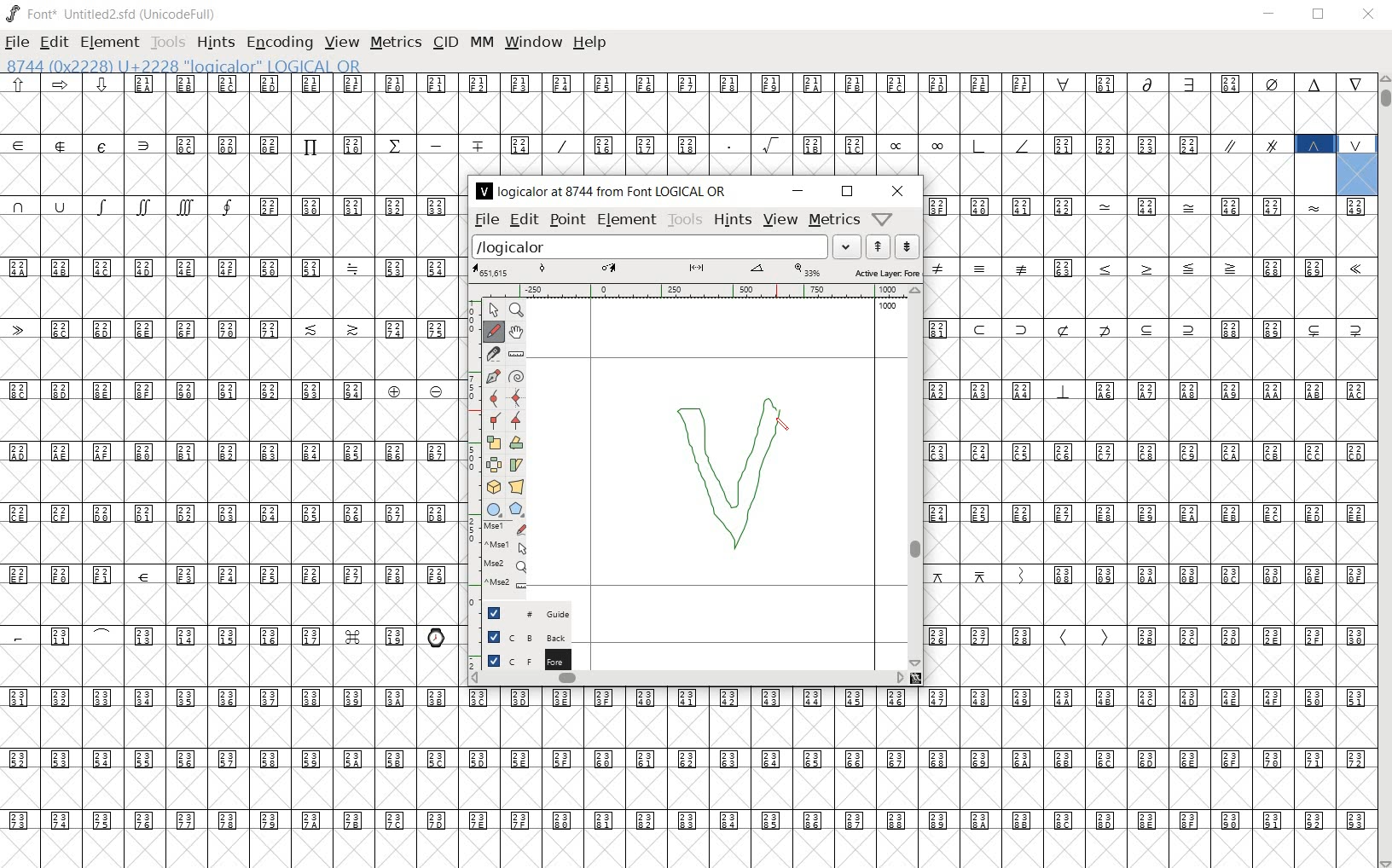  I want to click on tools, so click(167, 43).